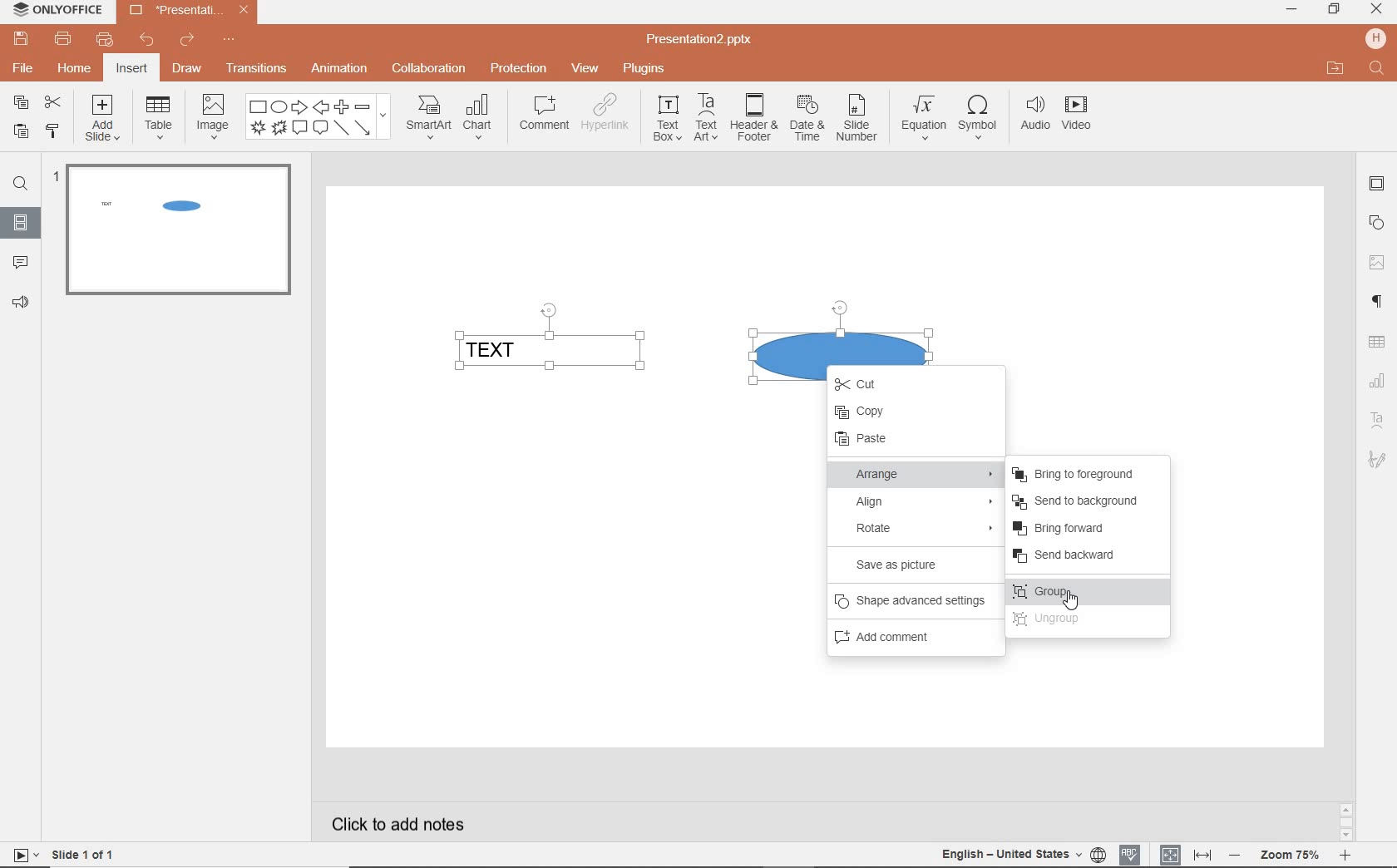 The width and height of the screenshot is (1397, 868). I want to click on view, so click(582, 69).